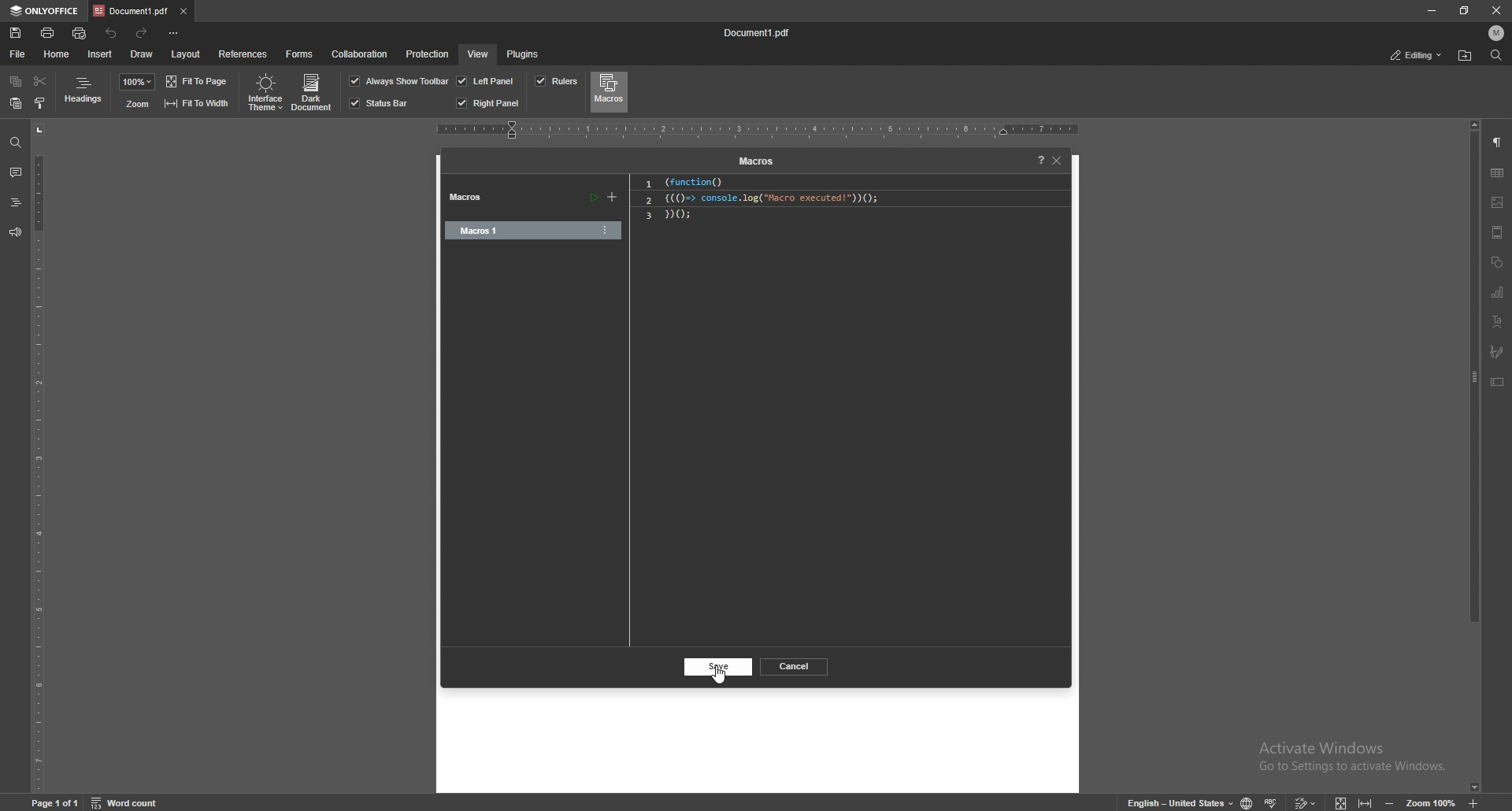 The height and width of the screenshot is (811, 1512). What do you see at coordinates (144, 32) in the screenshot?
I see `redo` at bounding box center [144, 32].